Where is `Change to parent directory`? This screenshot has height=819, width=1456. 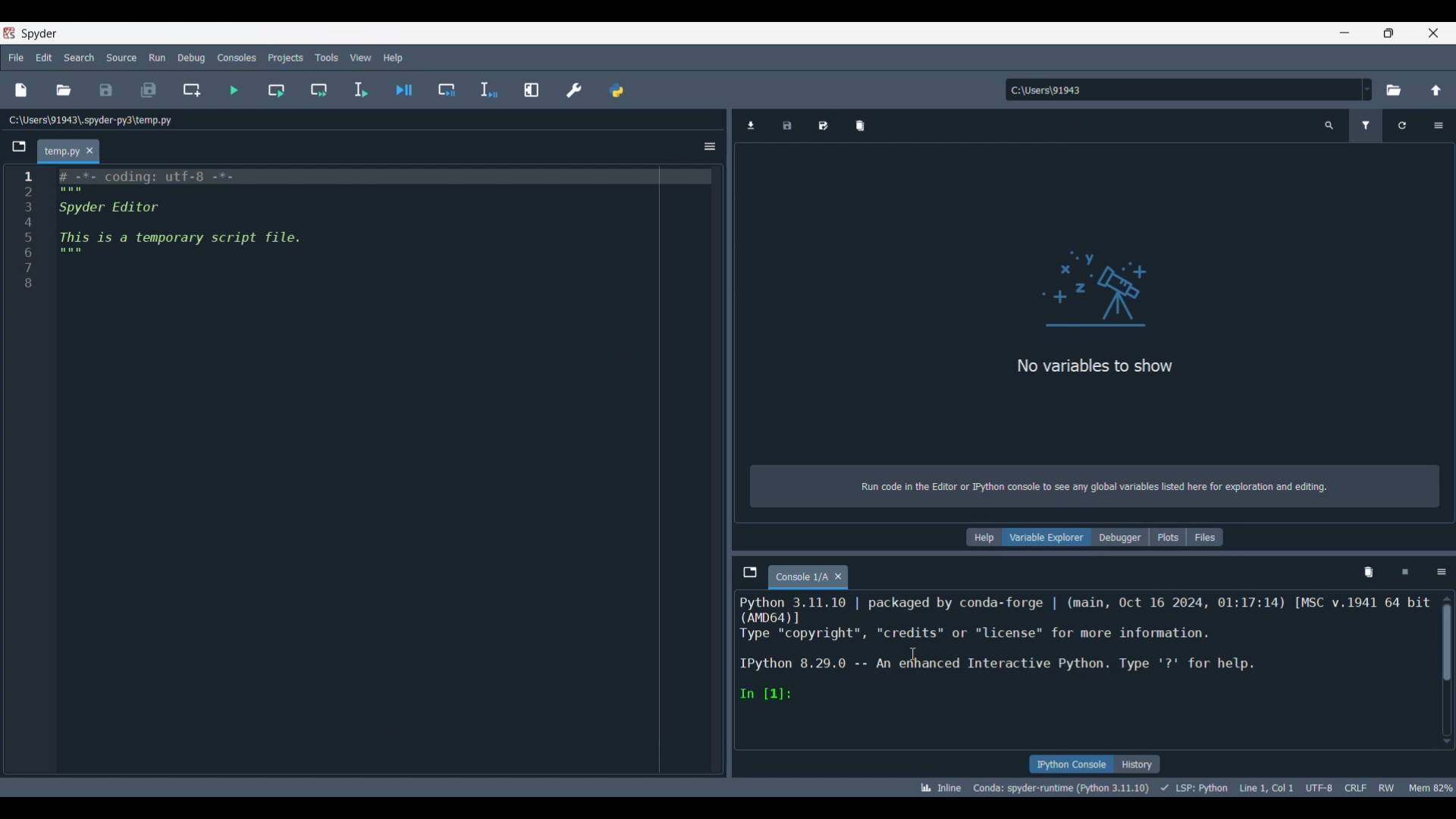 Change to parent directory is located at coordinates (1437, 90).